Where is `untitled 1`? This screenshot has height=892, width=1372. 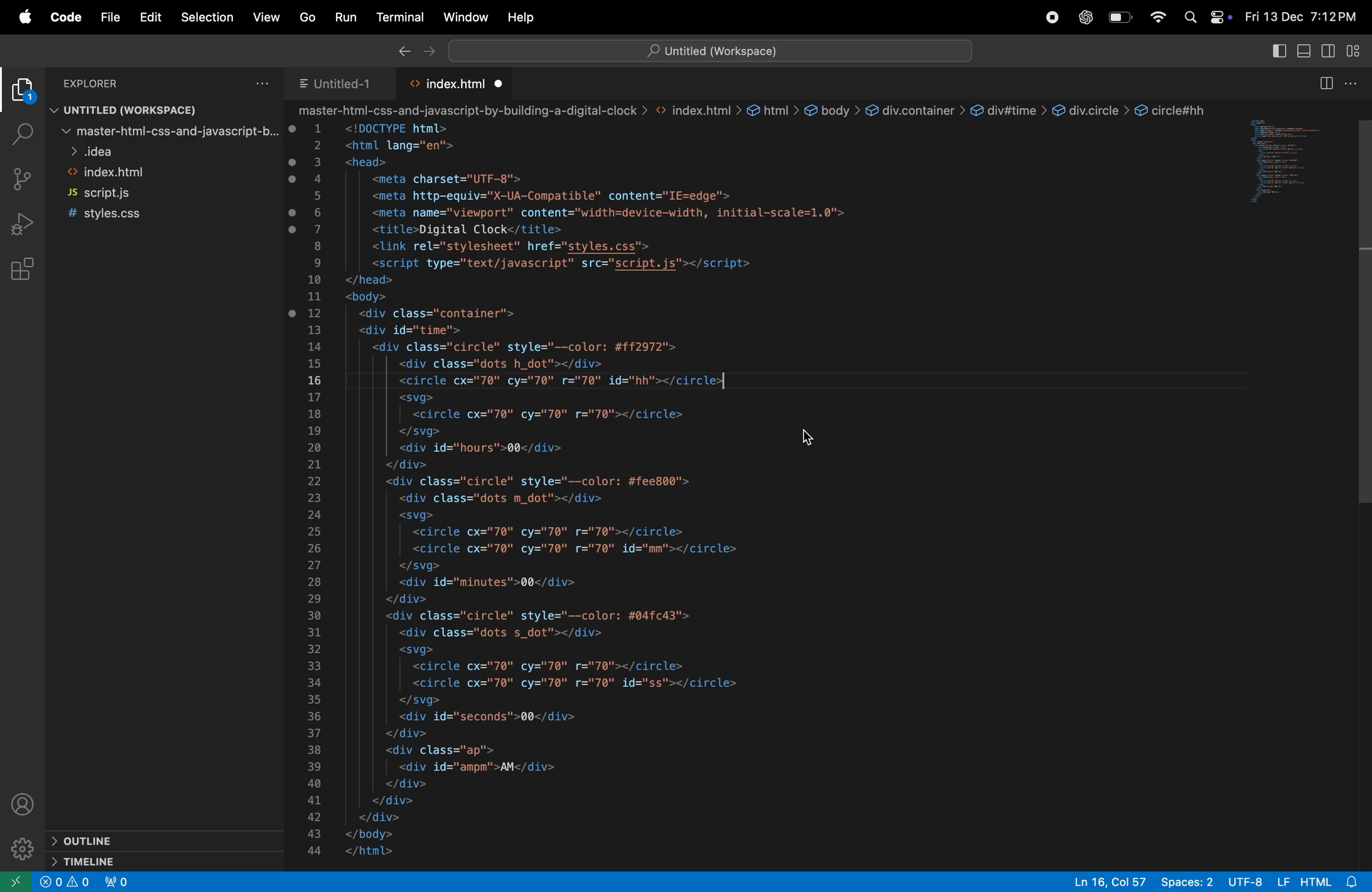 untitled 1 is located at coordinates (336, 84).